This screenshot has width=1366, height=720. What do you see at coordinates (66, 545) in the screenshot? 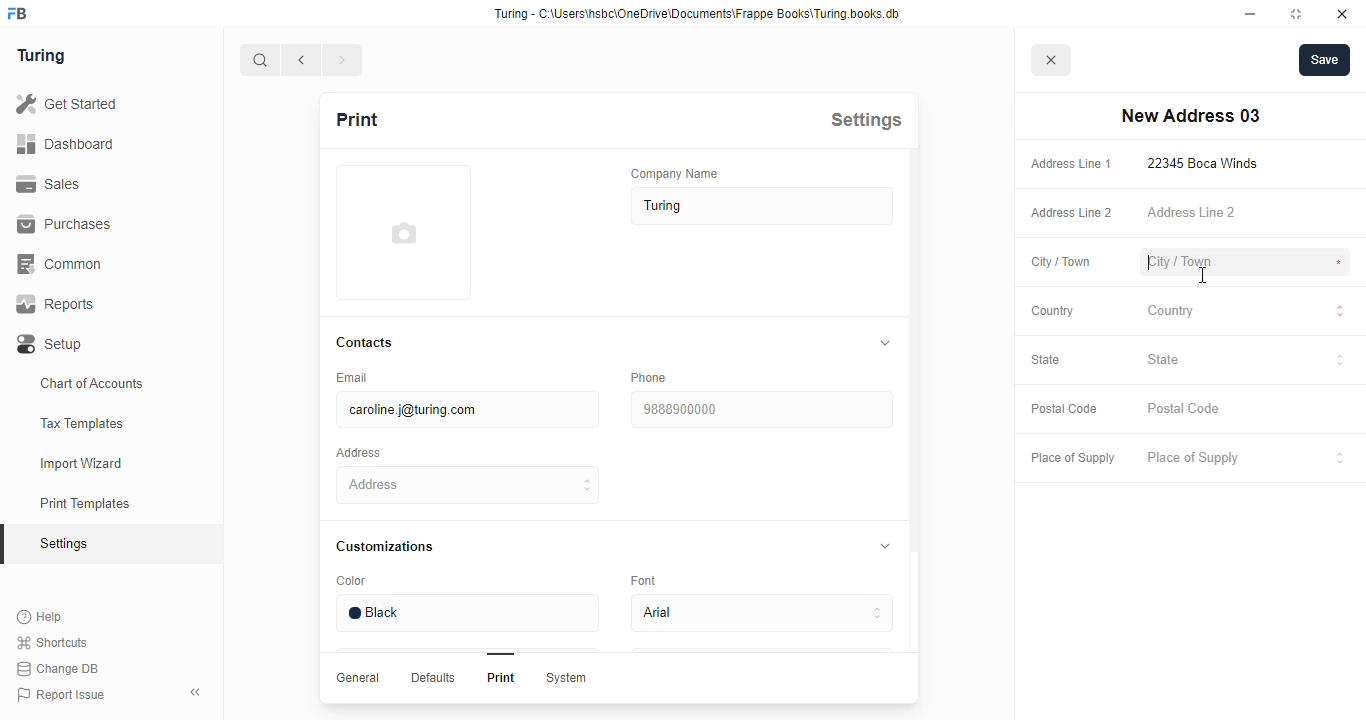
I see `settings` at bounding box center [66, 545].